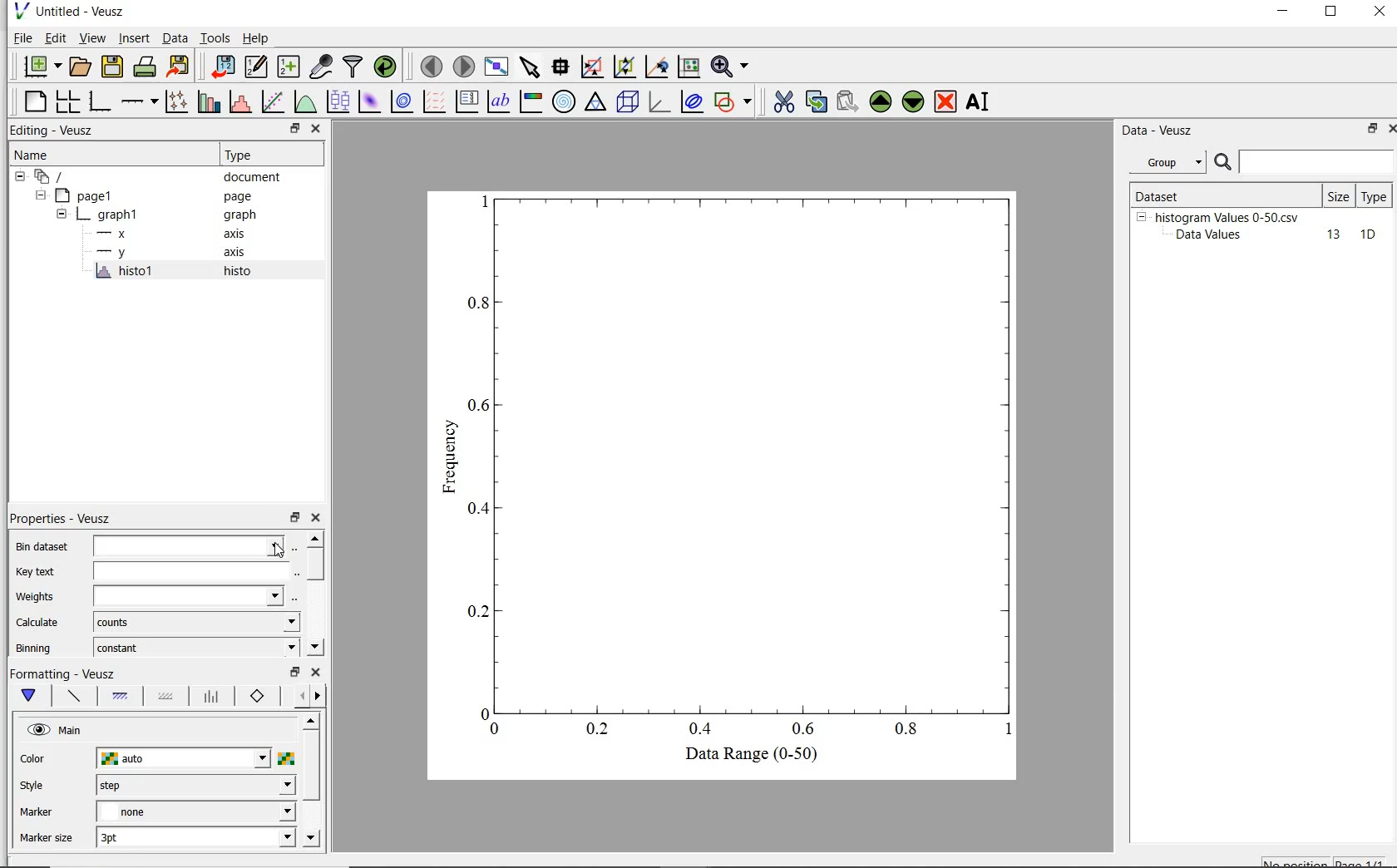 This screenshot has width=1397, height=868. I want to click on close, so click(315, 673).